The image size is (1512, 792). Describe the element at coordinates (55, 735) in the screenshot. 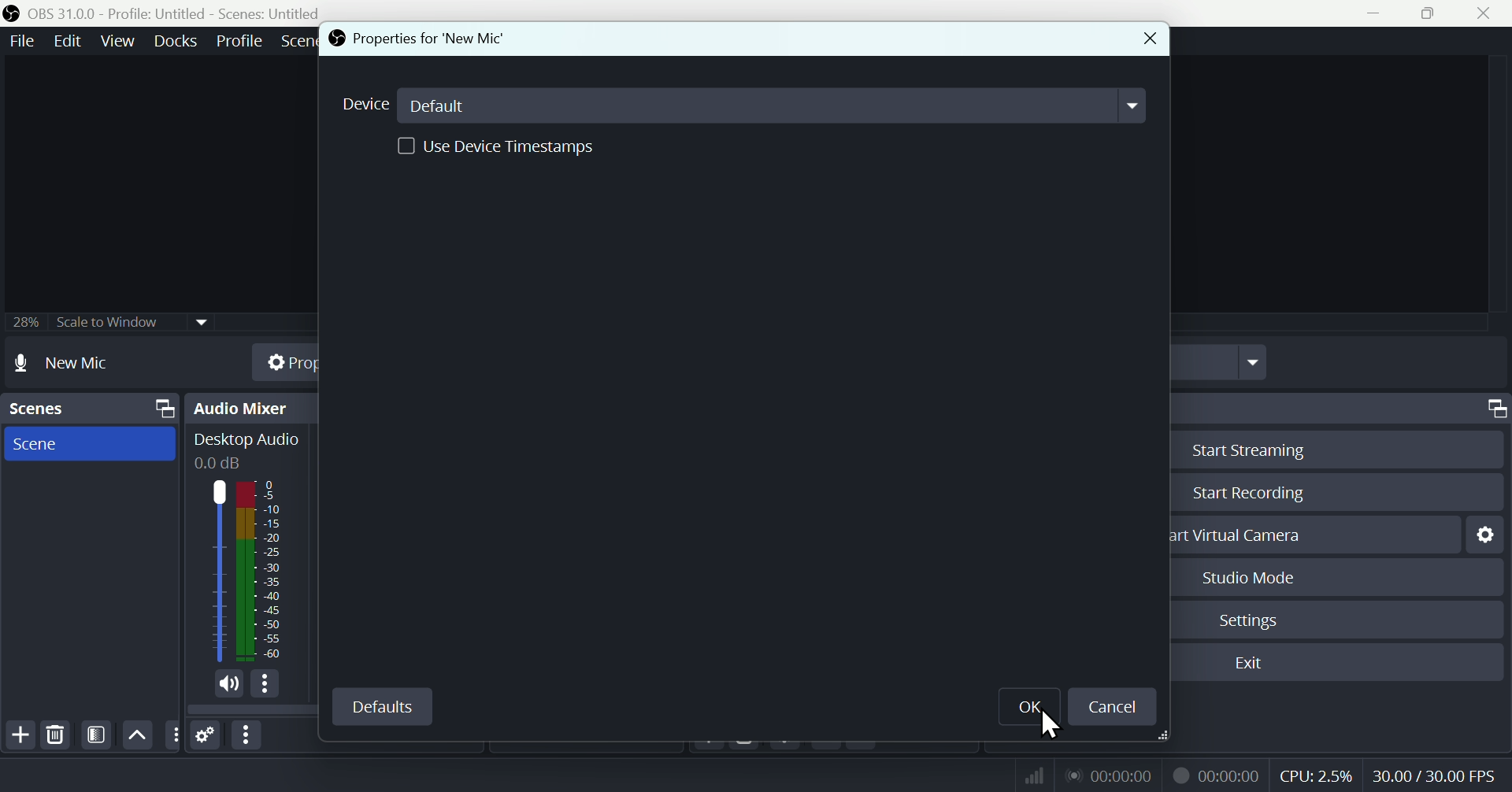

I see `Delete` at that location.